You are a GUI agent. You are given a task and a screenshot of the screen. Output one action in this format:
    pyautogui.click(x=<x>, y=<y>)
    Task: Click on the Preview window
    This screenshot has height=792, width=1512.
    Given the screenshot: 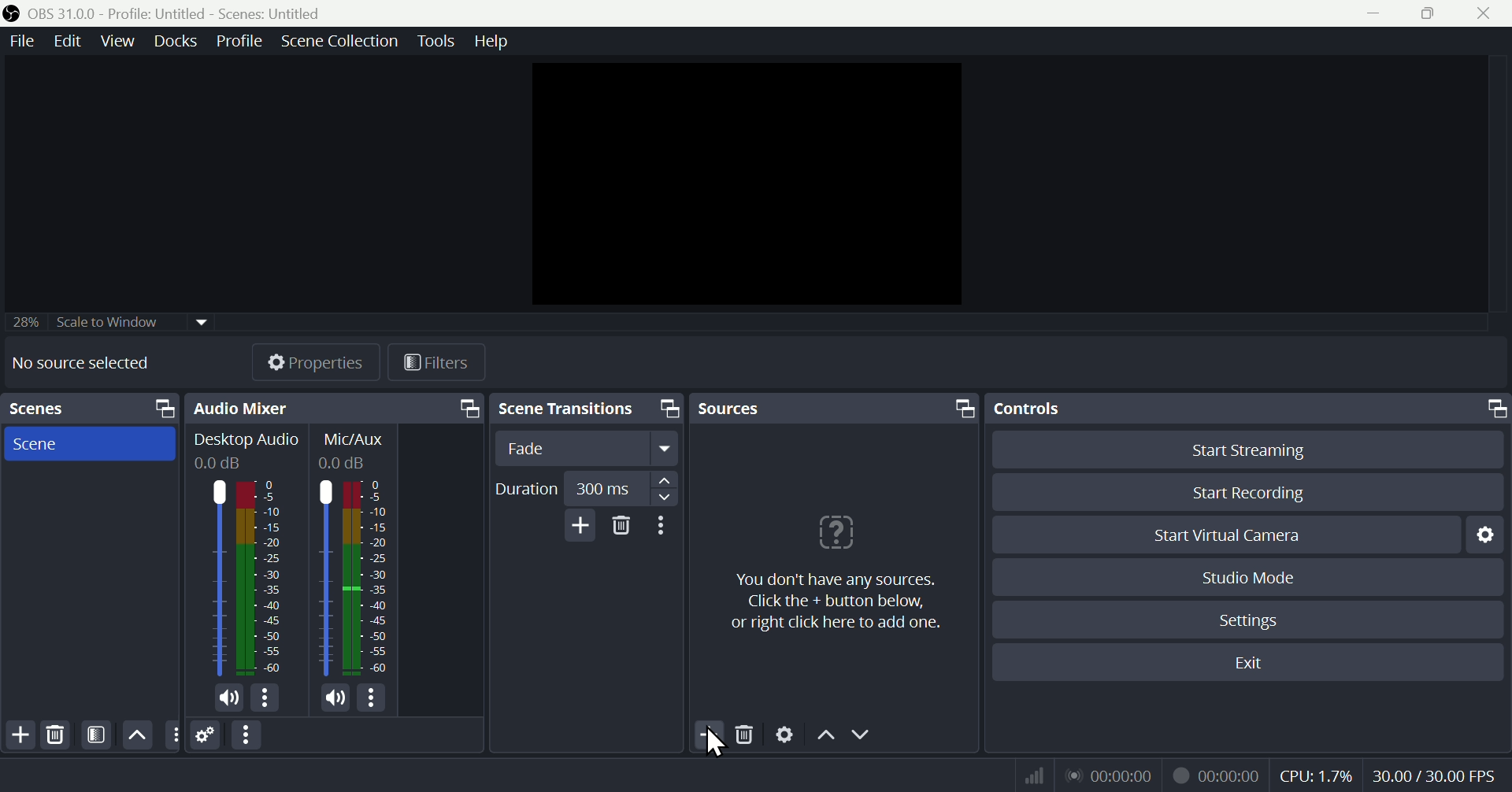 What is the action you would take?
    pyautogui.click(x=751, y=184)
    